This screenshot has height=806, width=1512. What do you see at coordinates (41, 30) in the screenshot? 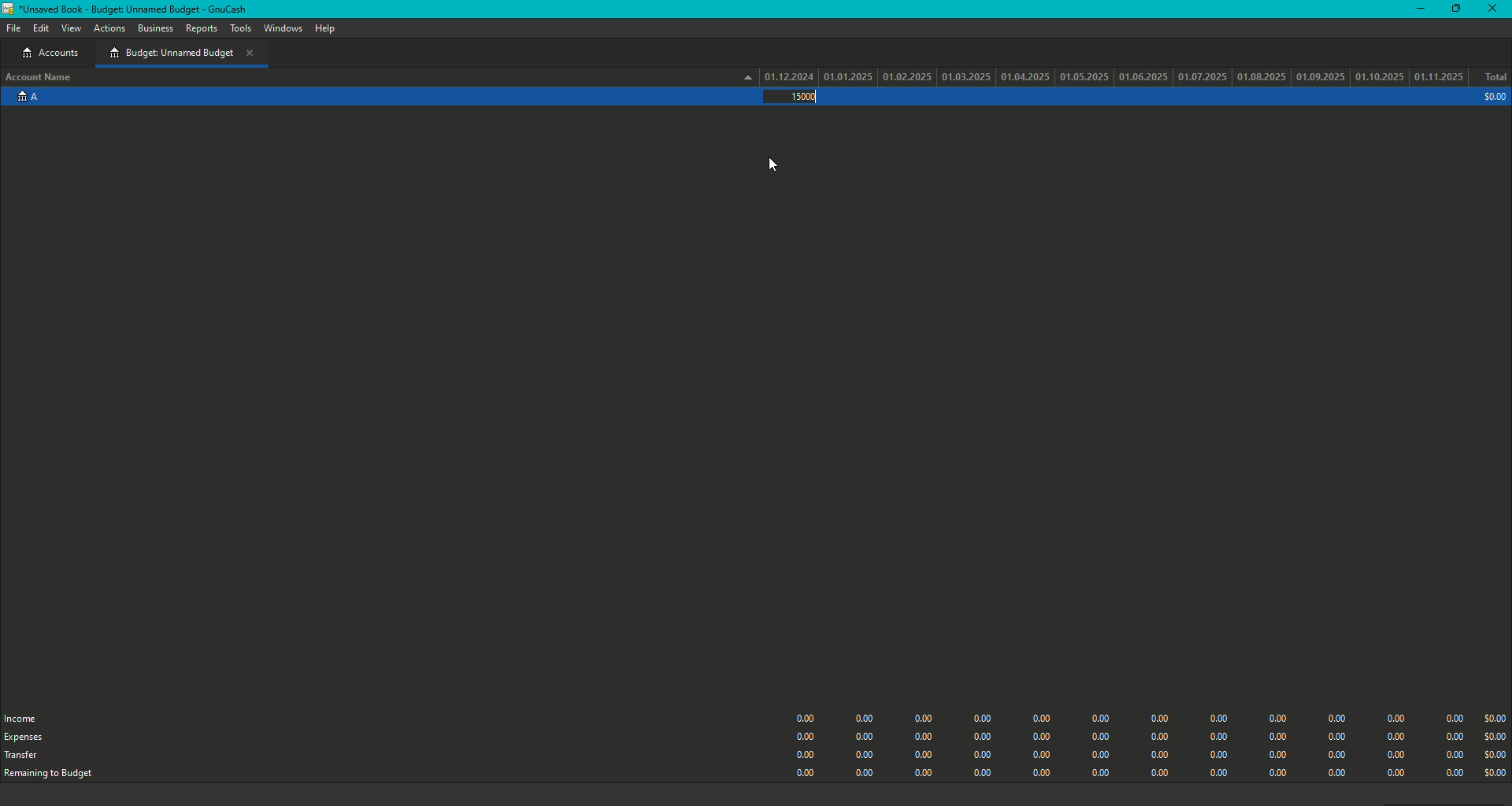
I see `Edit` at bounding box center [41, 30].